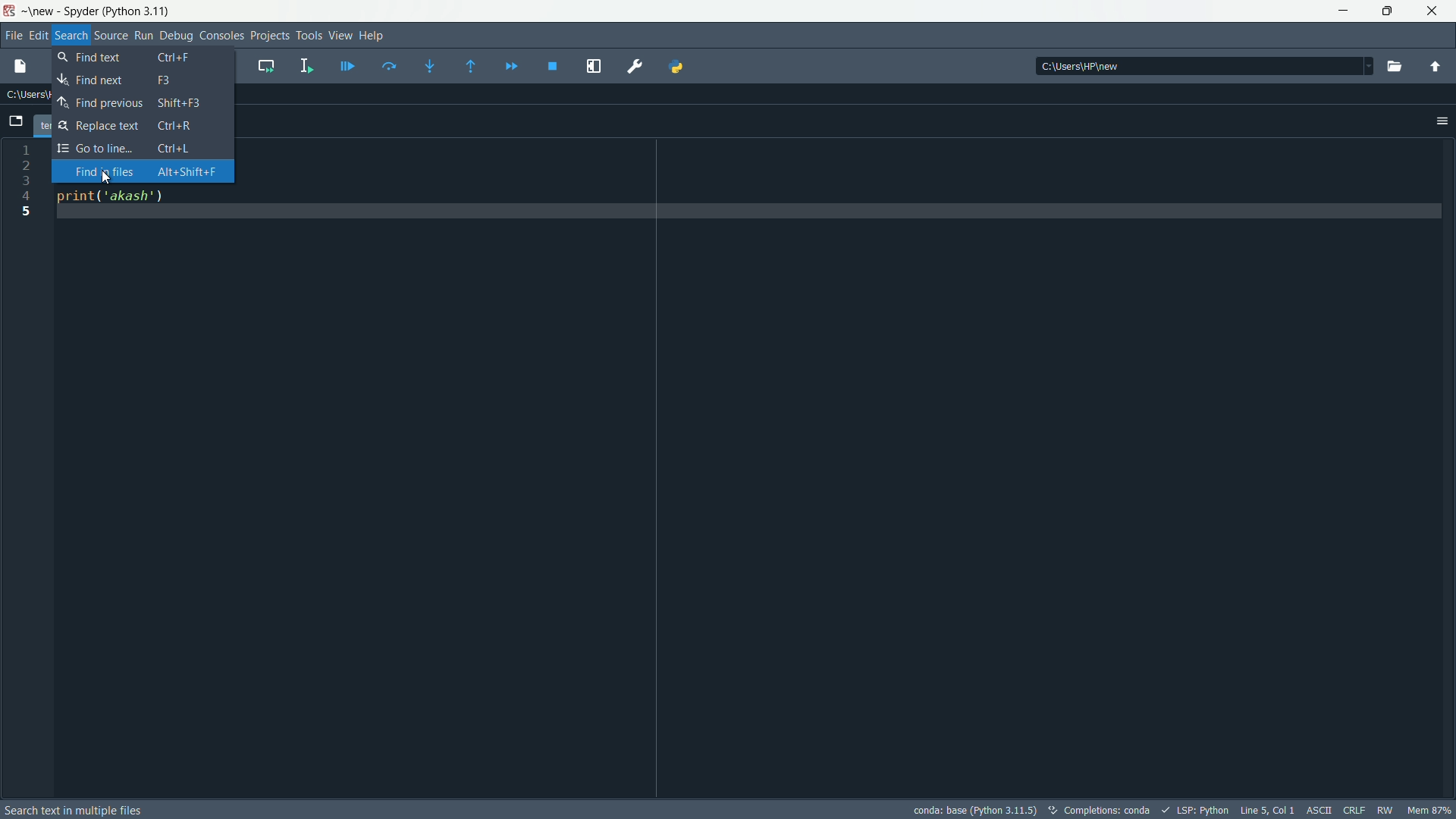 The width and height of the screenshot is (1456, 819). What do you see at coordinates (1395, 67) in the screenshot?
I see `browse directory` at bounding box center [1395, 67].